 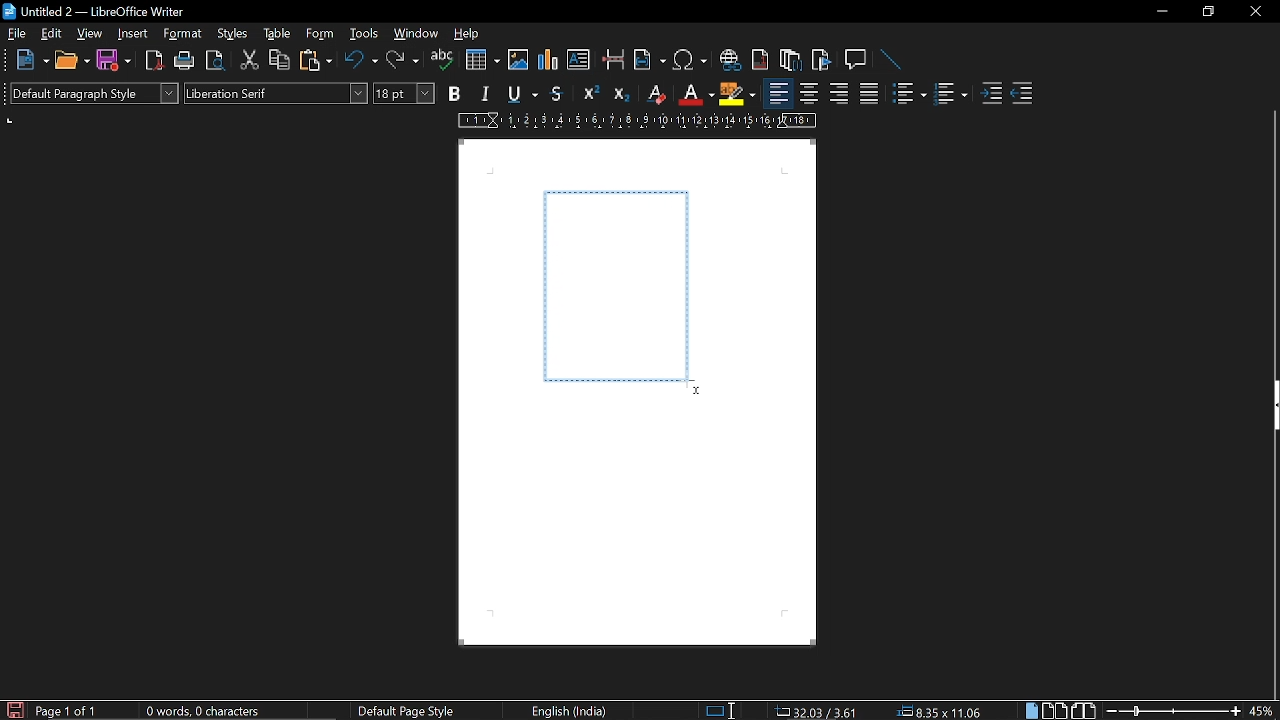 I want to click on italic, so click(x=482, y=95).